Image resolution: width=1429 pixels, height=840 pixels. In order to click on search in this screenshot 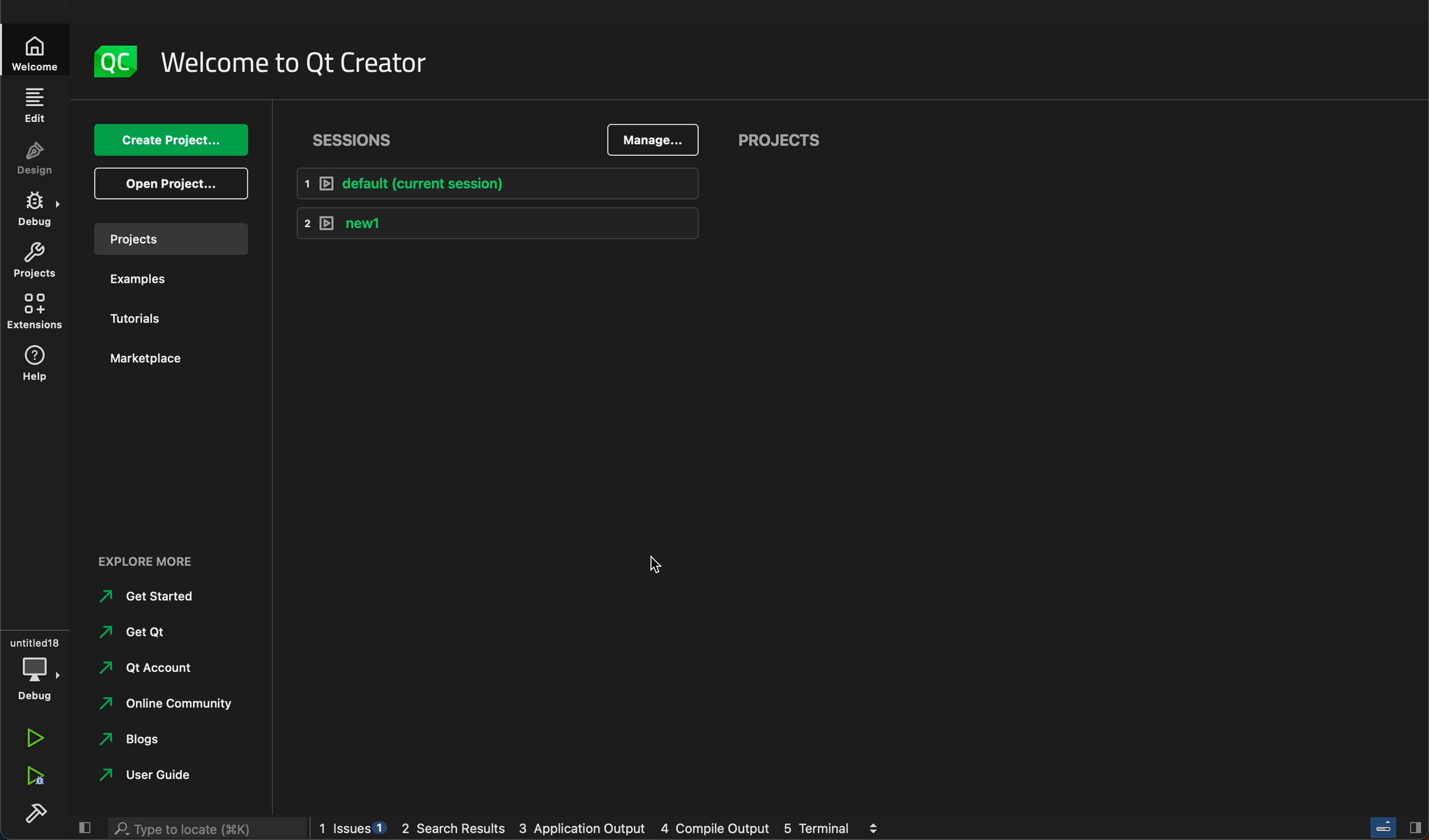, I will do `click(203, 828)`.